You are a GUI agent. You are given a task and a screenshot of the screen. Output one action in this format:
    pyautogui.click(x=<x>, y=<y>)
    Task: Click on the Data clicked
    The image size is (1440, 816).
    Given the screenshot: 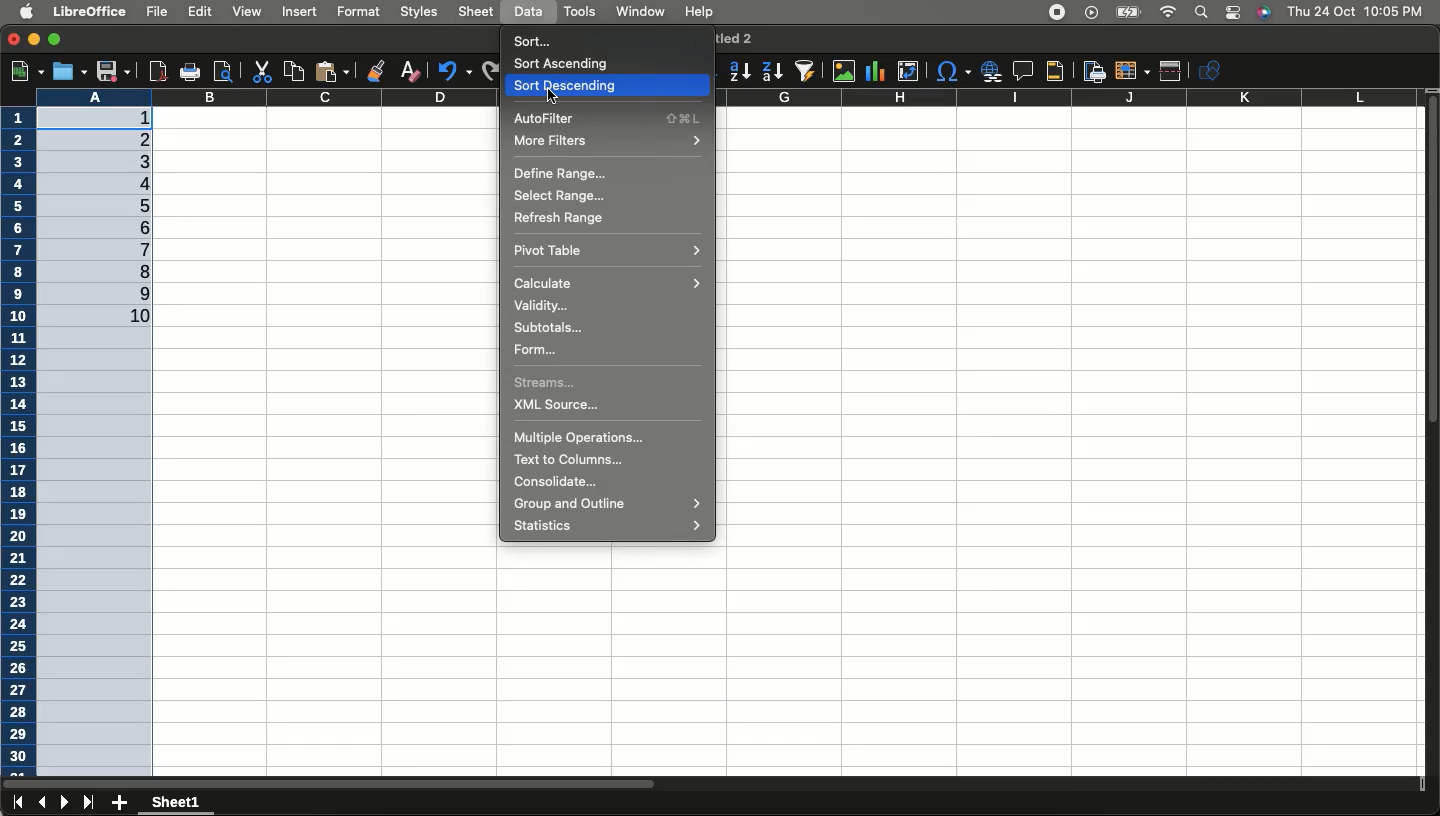 What is the action you would take?
    pyautogui.click(x=529, y=12)
    